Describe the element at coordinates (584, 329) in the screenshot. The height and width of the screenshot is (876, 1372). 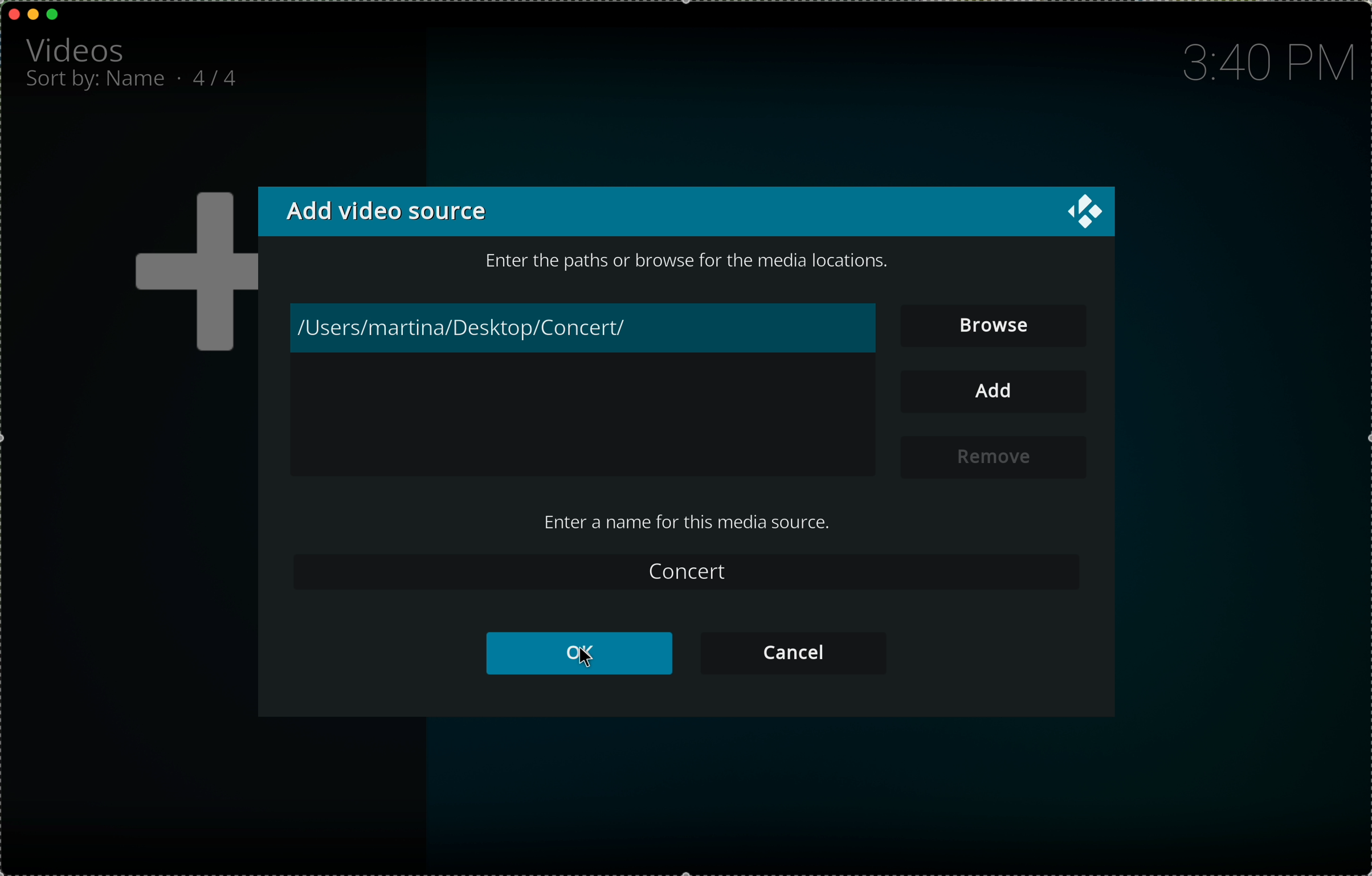
I see `users/martina/desktop/concert/` at that location.